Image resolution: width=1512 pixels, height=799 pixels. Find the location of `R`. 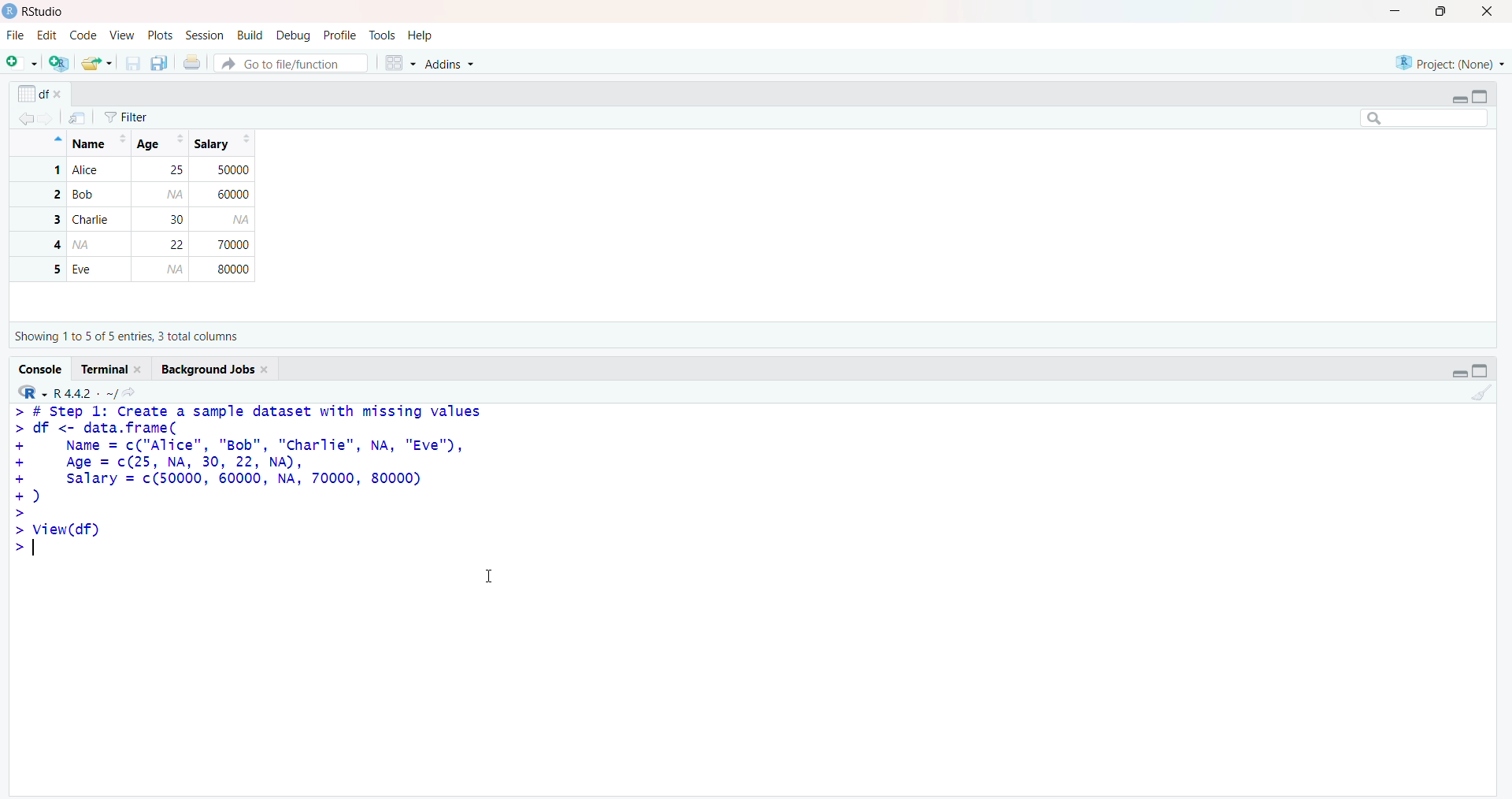

R is located at coordinates (33, 391).